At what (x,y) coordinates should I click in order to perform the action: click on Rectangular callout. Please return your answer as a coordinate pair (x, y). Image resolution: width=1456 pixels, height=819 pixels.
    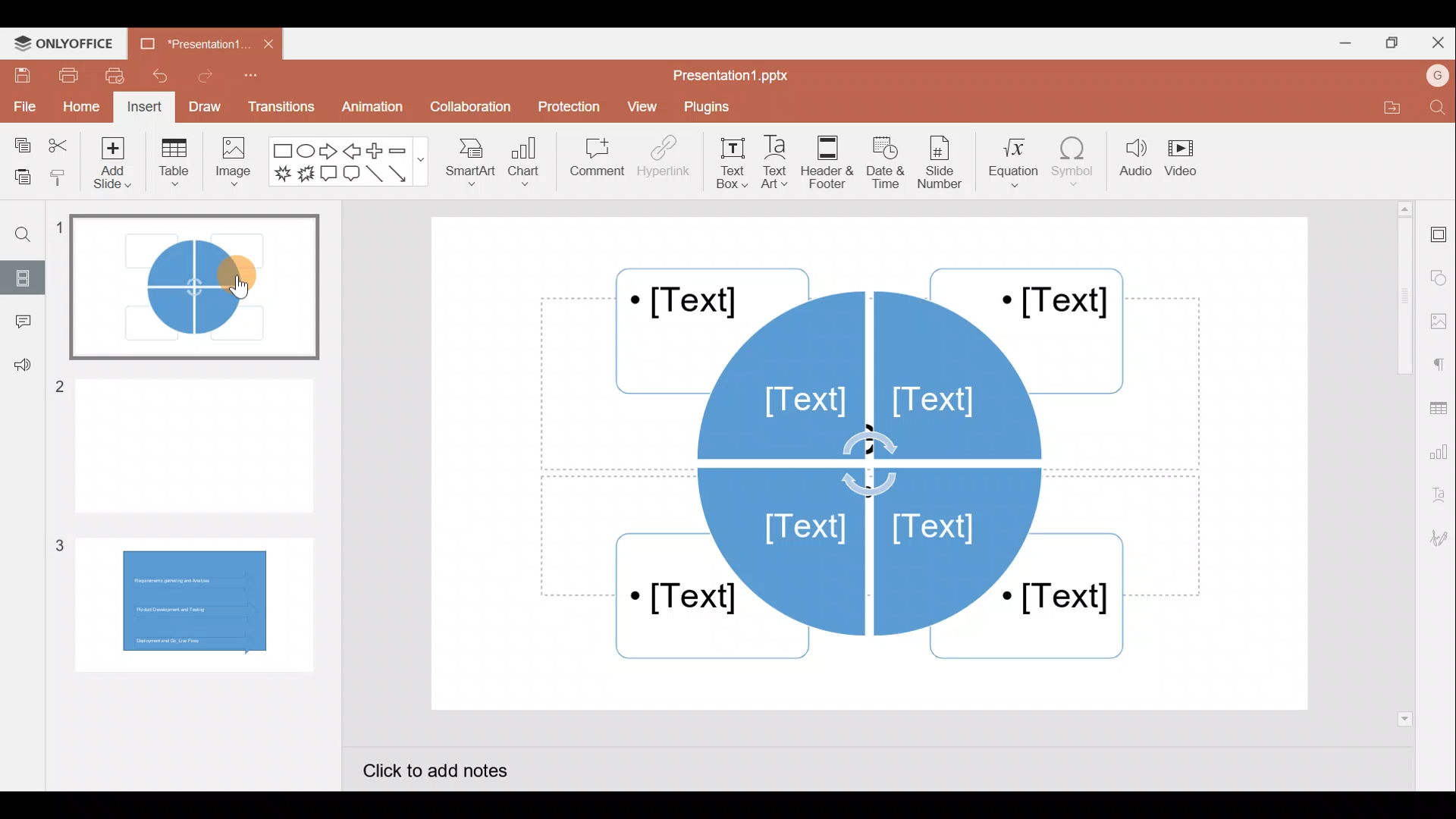
    Looking at the image, I should click on (328, 173).